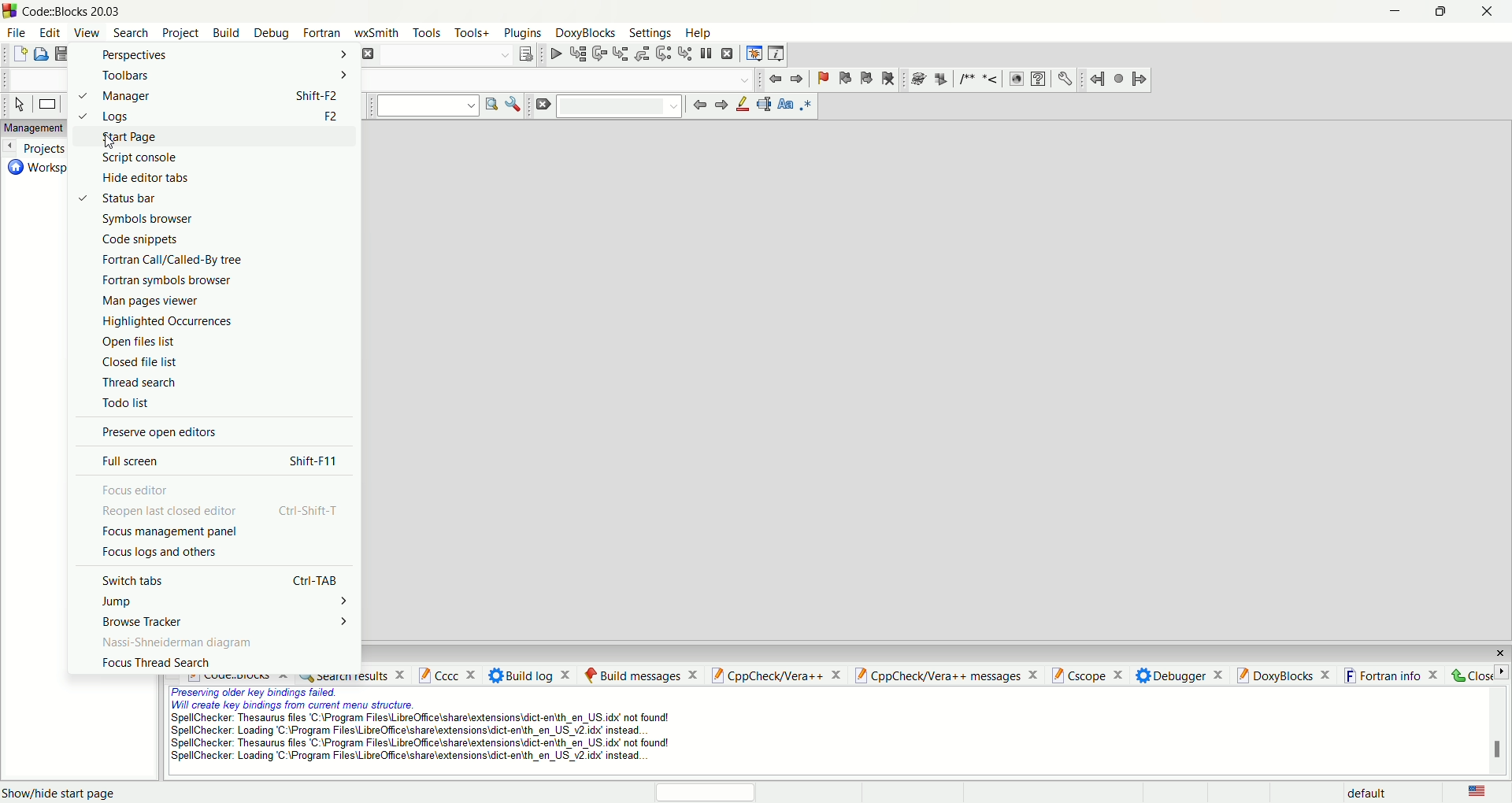  Describe the element at coordinates (9, 13) in the screenshot. I see `logo` at that location.